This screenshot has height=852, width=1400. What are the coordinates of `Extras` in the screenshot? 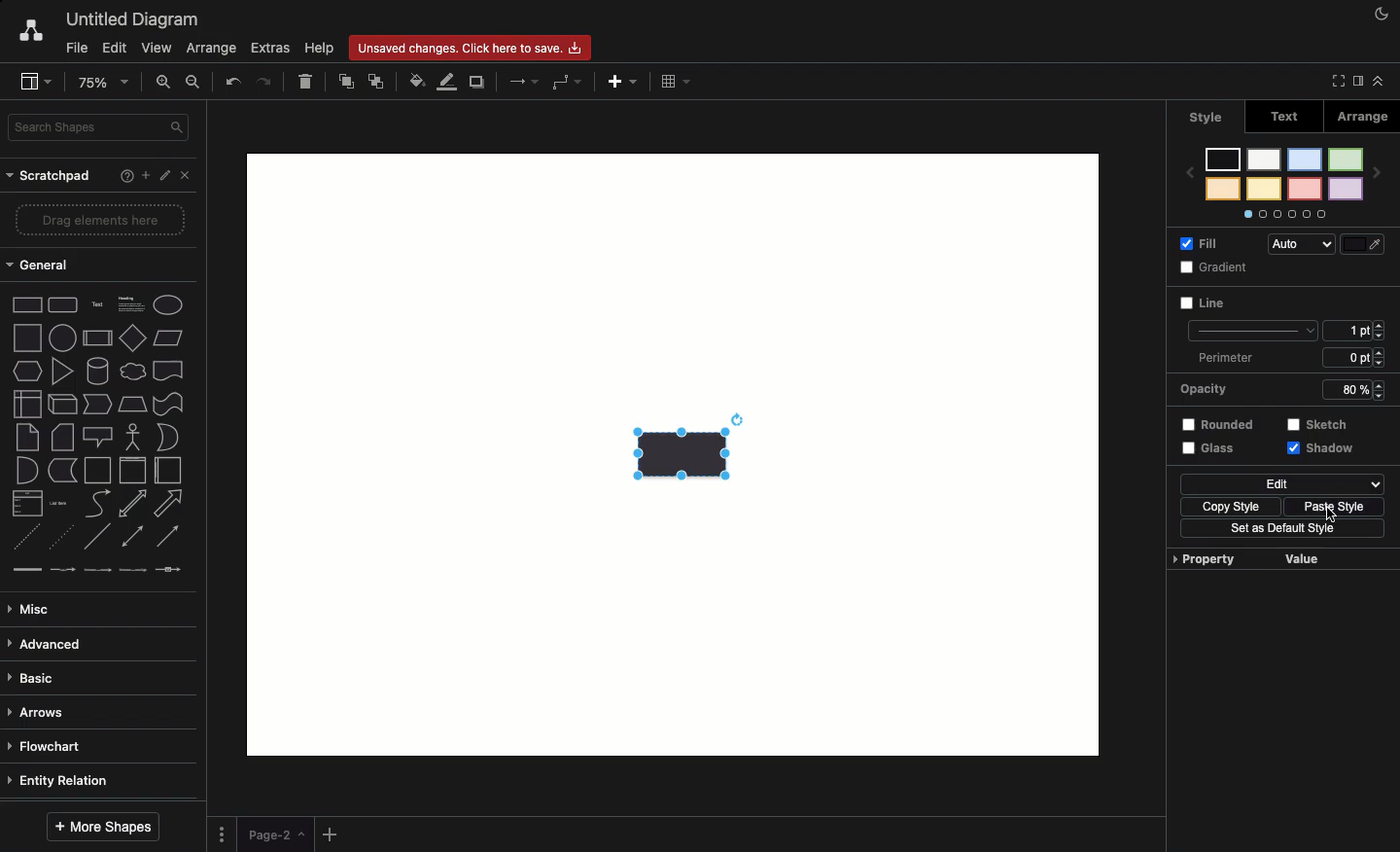 It's located at (268, 48).